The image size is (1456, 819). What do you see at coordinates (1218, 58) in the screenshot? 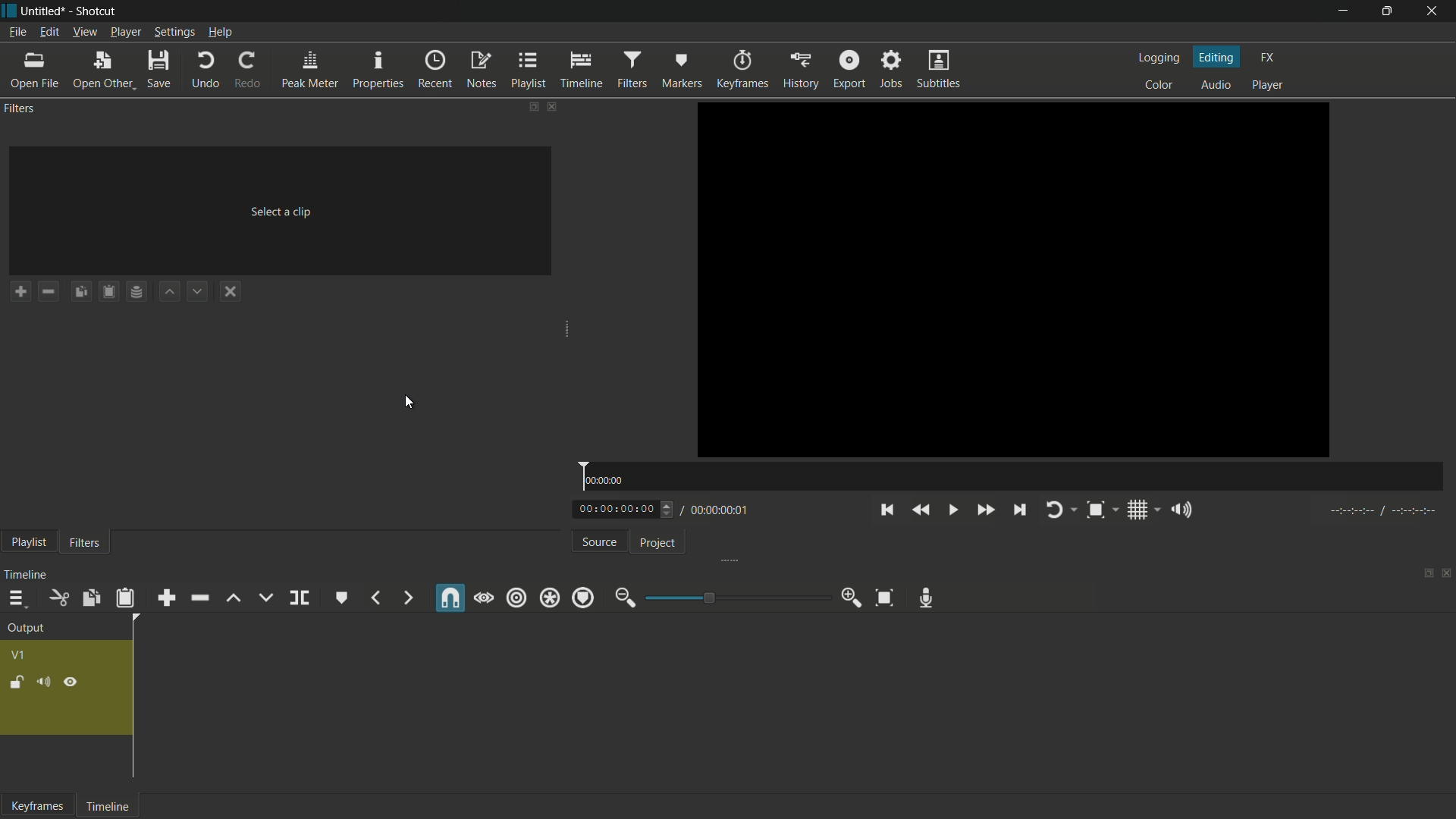
I see `editing` at bounding box center [1218, 58].